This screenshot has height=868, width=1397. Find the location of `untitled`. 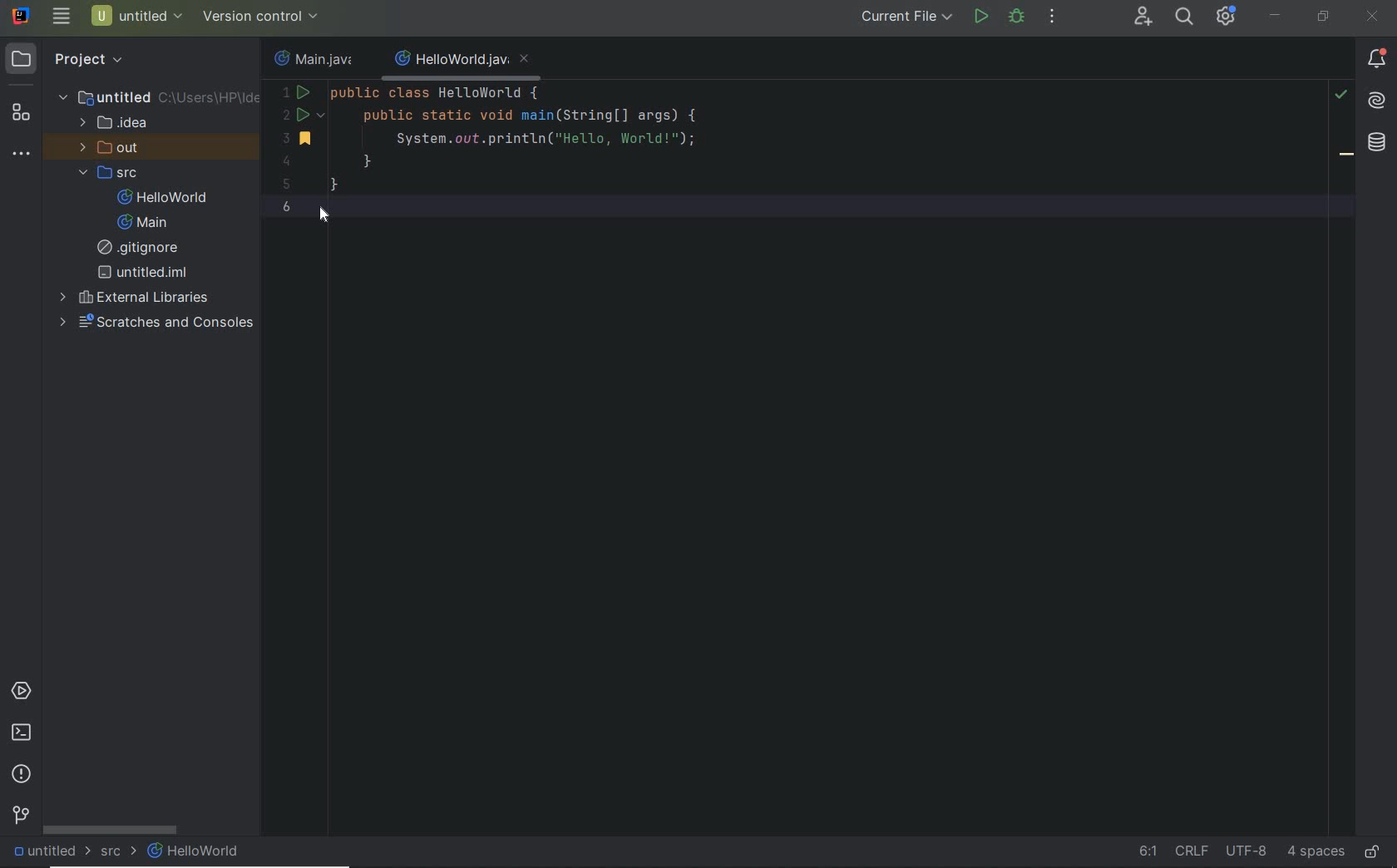

untitled is located at coordinates (143, 273).